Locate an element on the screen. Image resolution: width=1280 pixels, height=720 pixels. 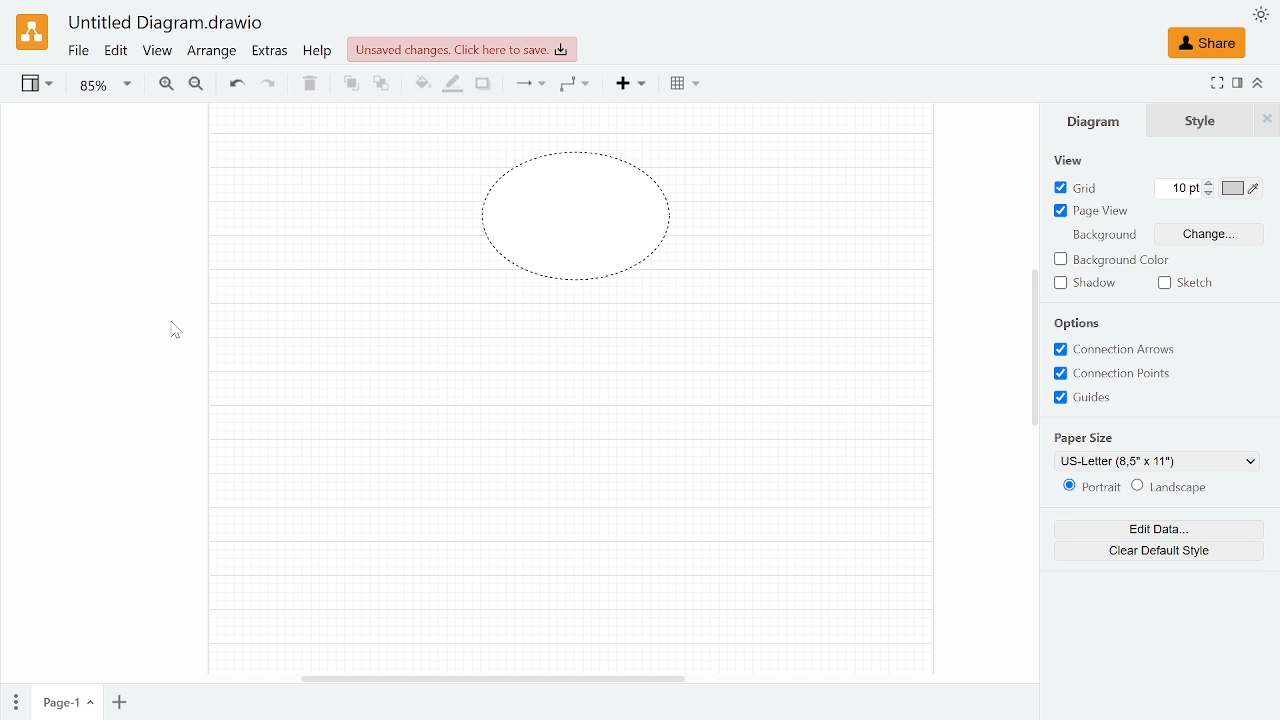
Fill color is located at coordinates (422, 83).